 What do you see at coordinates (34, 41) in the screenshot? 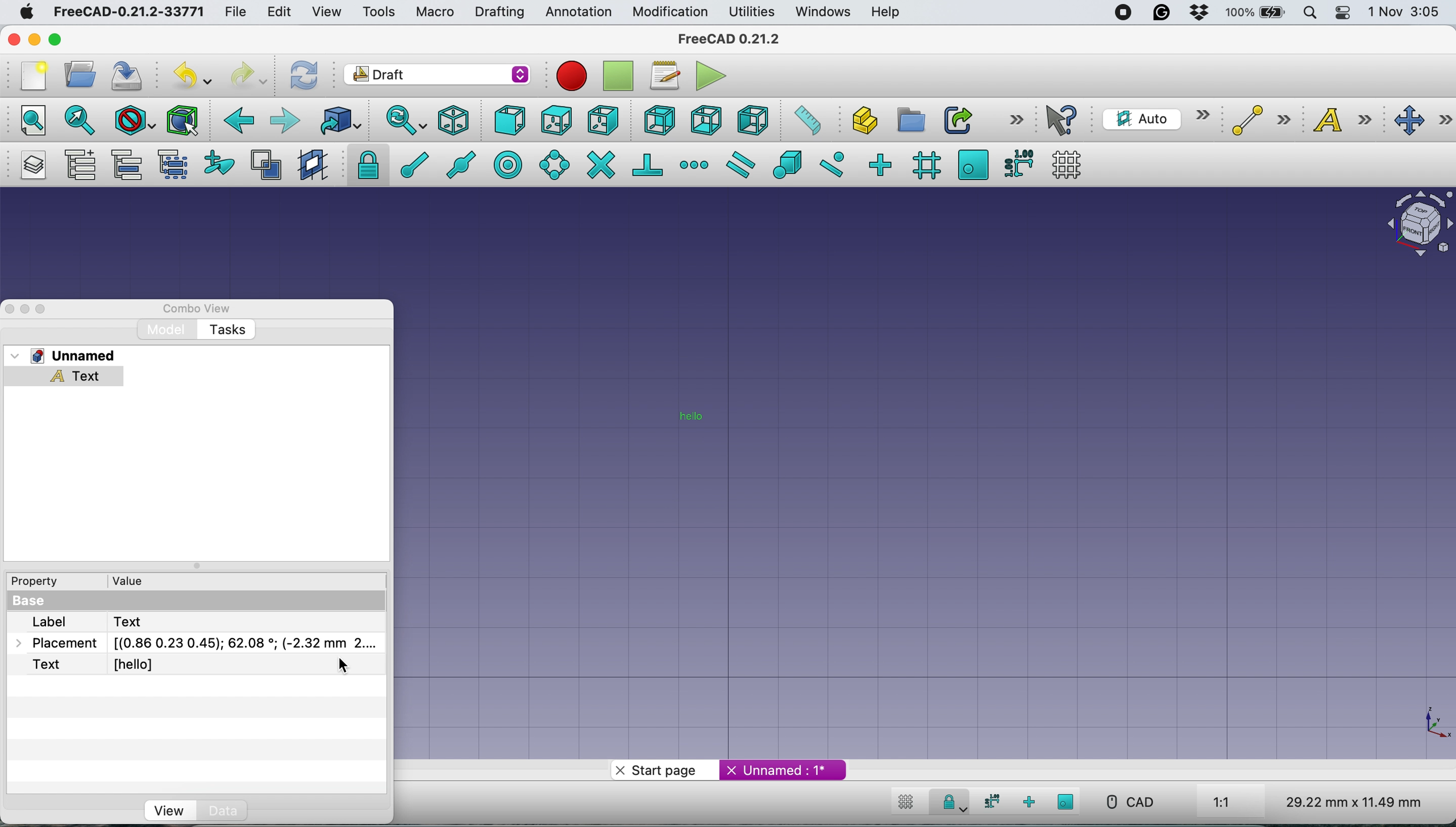
I see `minimise` at bounding box center [34, 41].